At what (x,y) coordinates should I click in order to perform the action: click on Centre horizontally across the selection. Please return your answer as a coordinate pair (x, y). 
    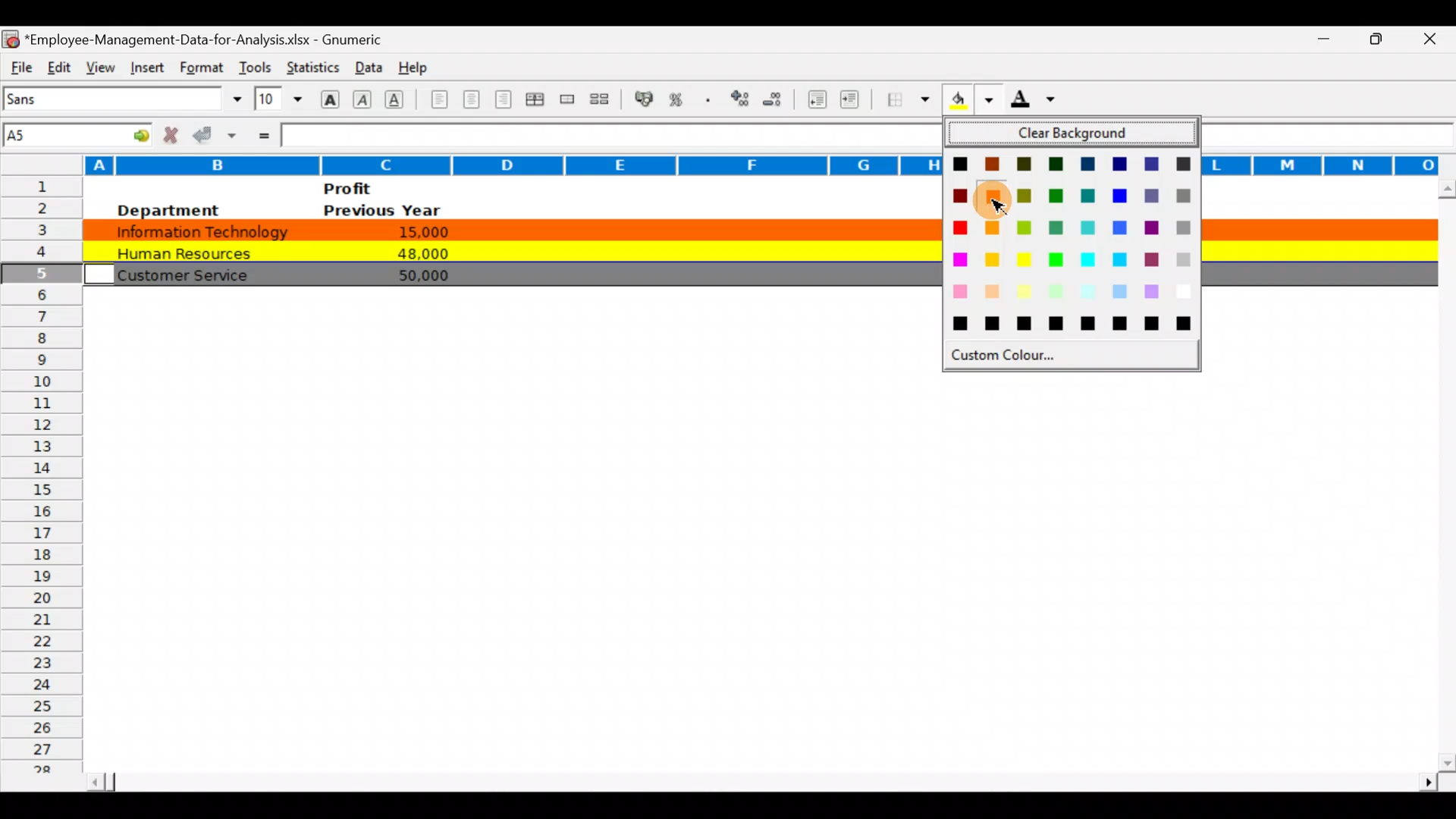
    Looking at the image, I should click on (538, 102).